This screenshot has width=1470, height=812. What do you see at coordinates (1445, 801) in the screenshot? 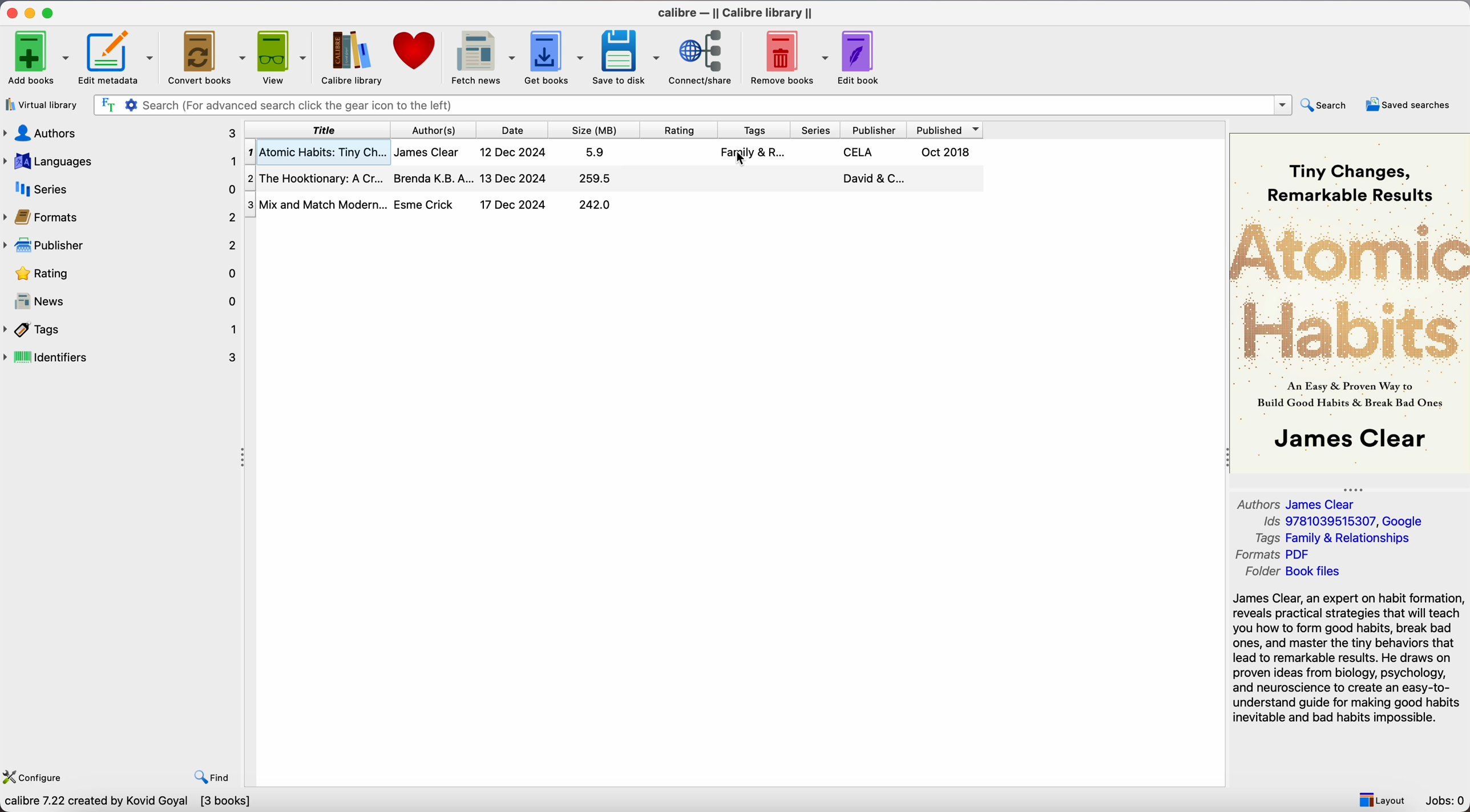
I see `Jobs: 0` at bounding box center [1445, 801].